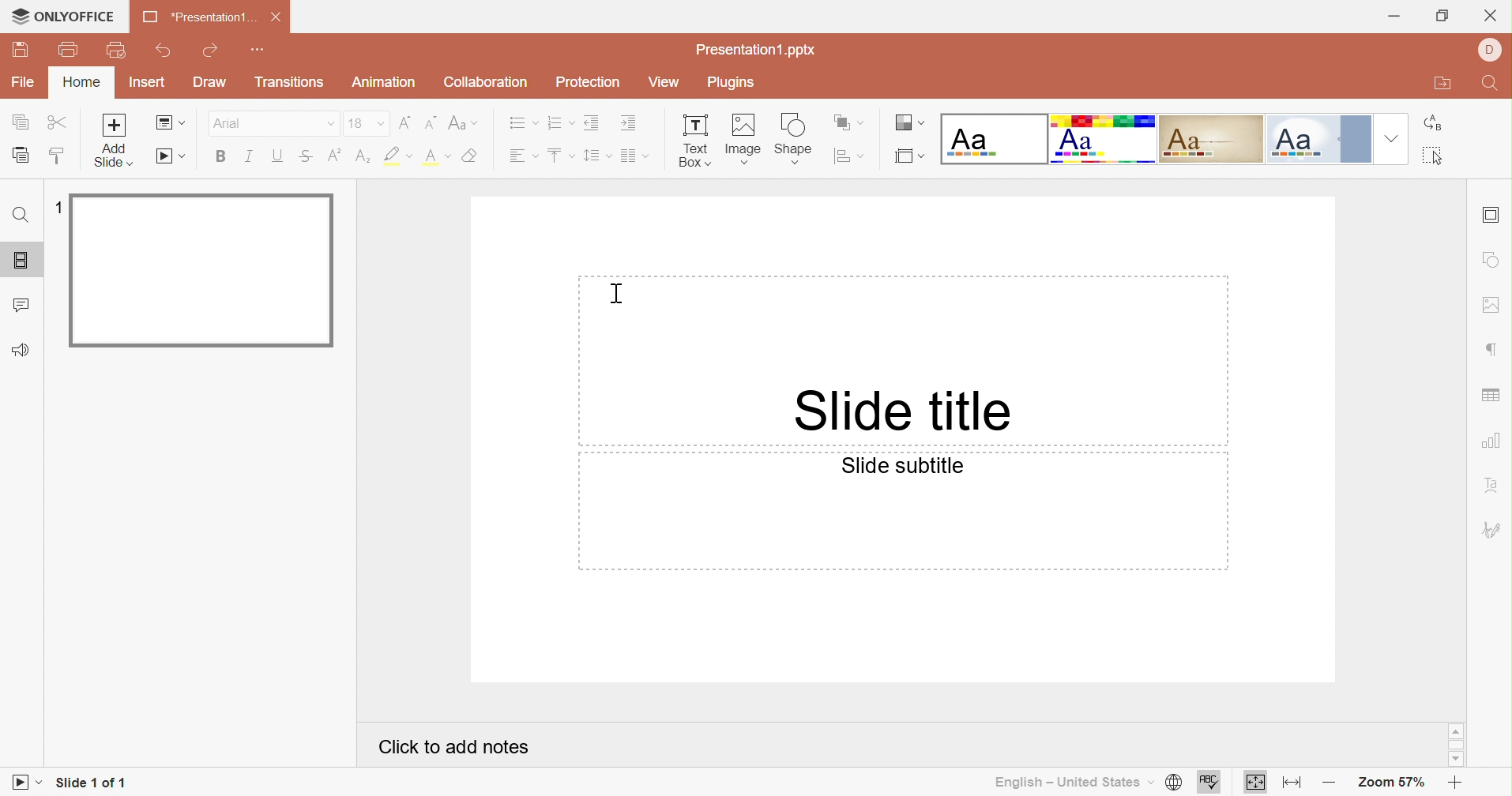 Image resolution: width=1512 pixels, height=796 pixels. Describe the element at coordinates (276, 21) in the screenshot. I see `Close` at that location.